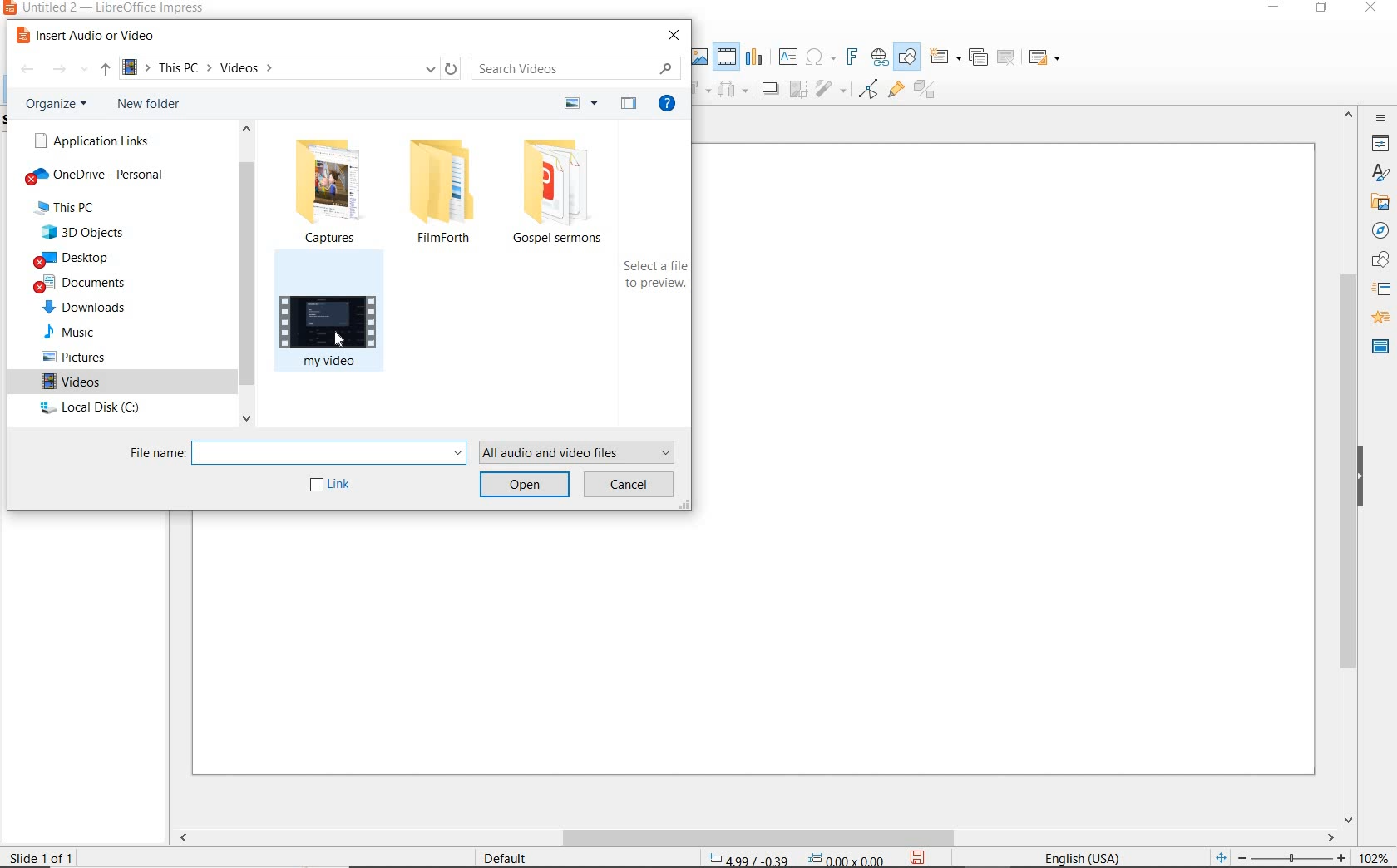 This screenshot has width=1397, height=868. I want to click on INSERT CHART, so click(756, 57).